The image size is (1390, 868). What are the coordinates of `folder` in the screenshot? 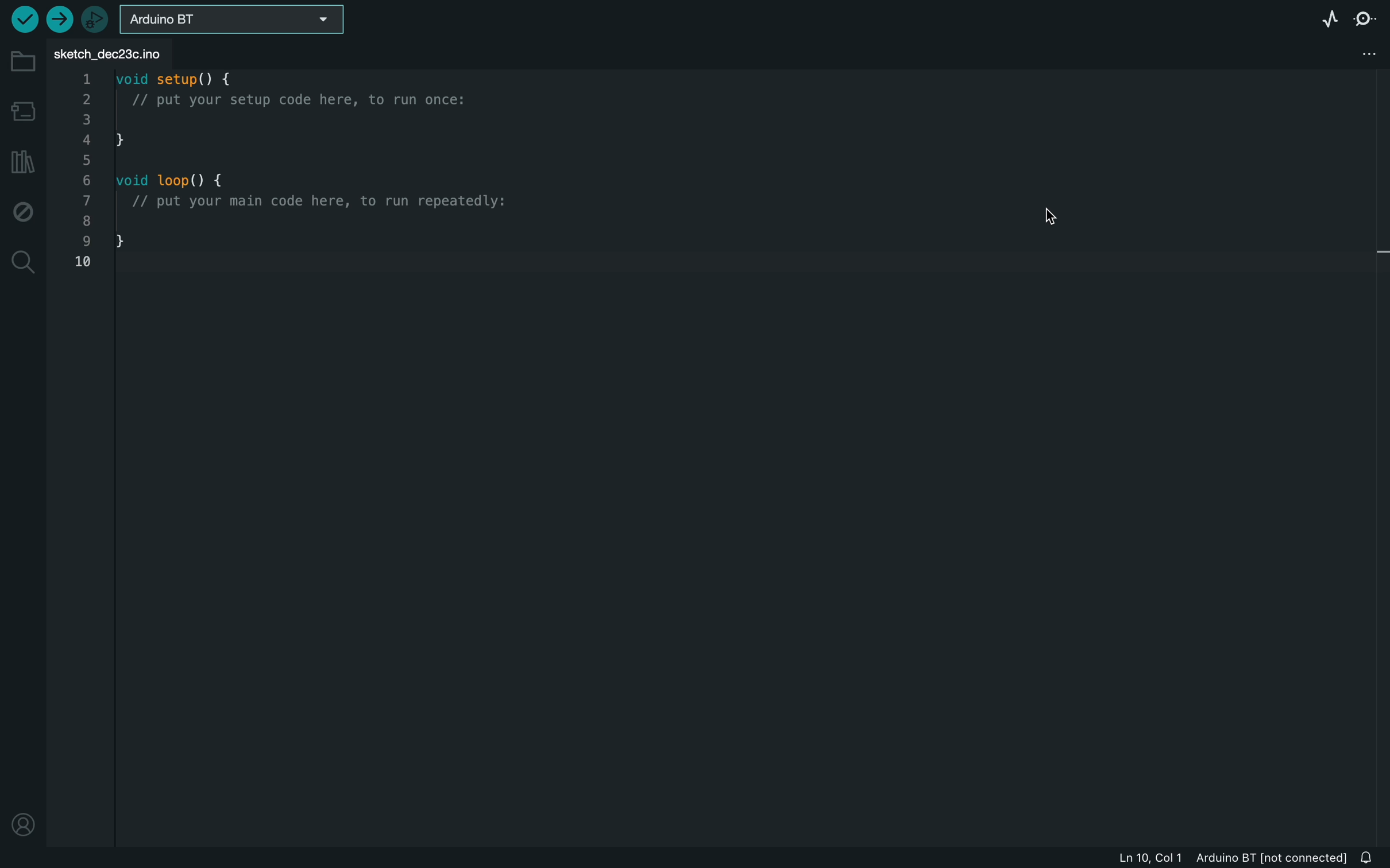 It's located at (24, 63).